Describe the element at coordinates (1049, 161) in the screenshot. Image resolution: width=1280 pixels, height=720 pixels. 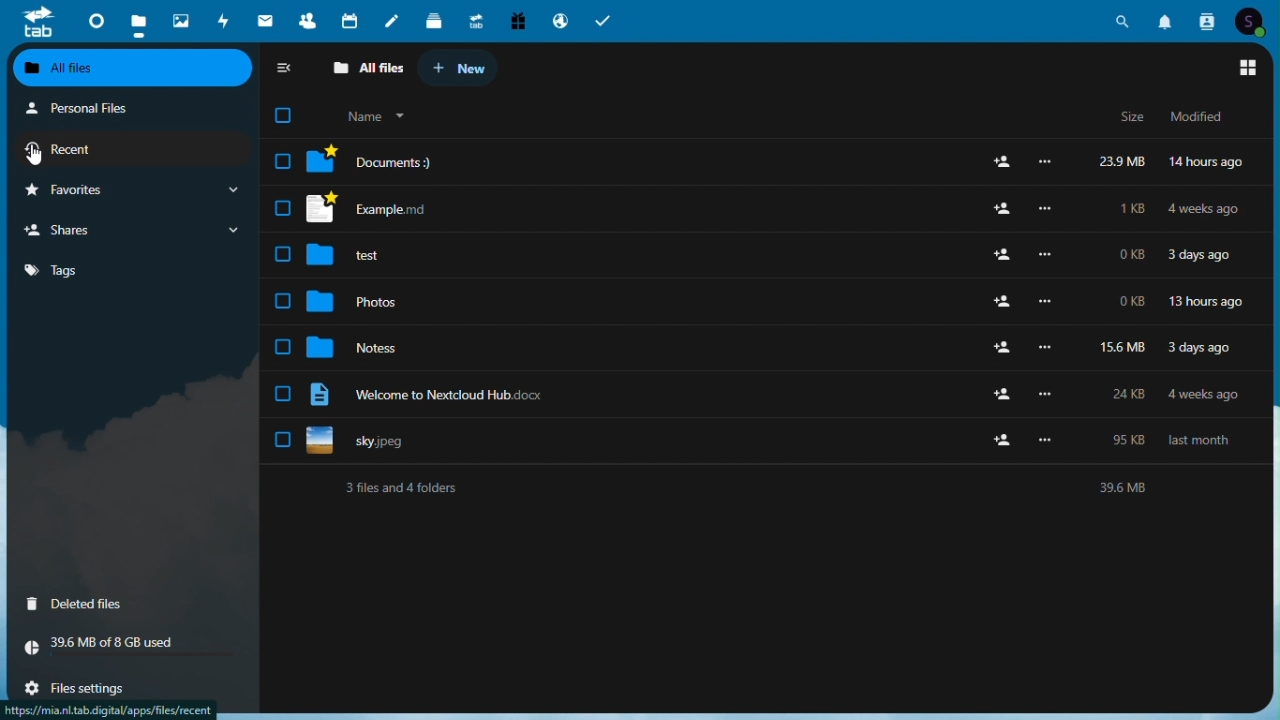
I see `Options` at that location.